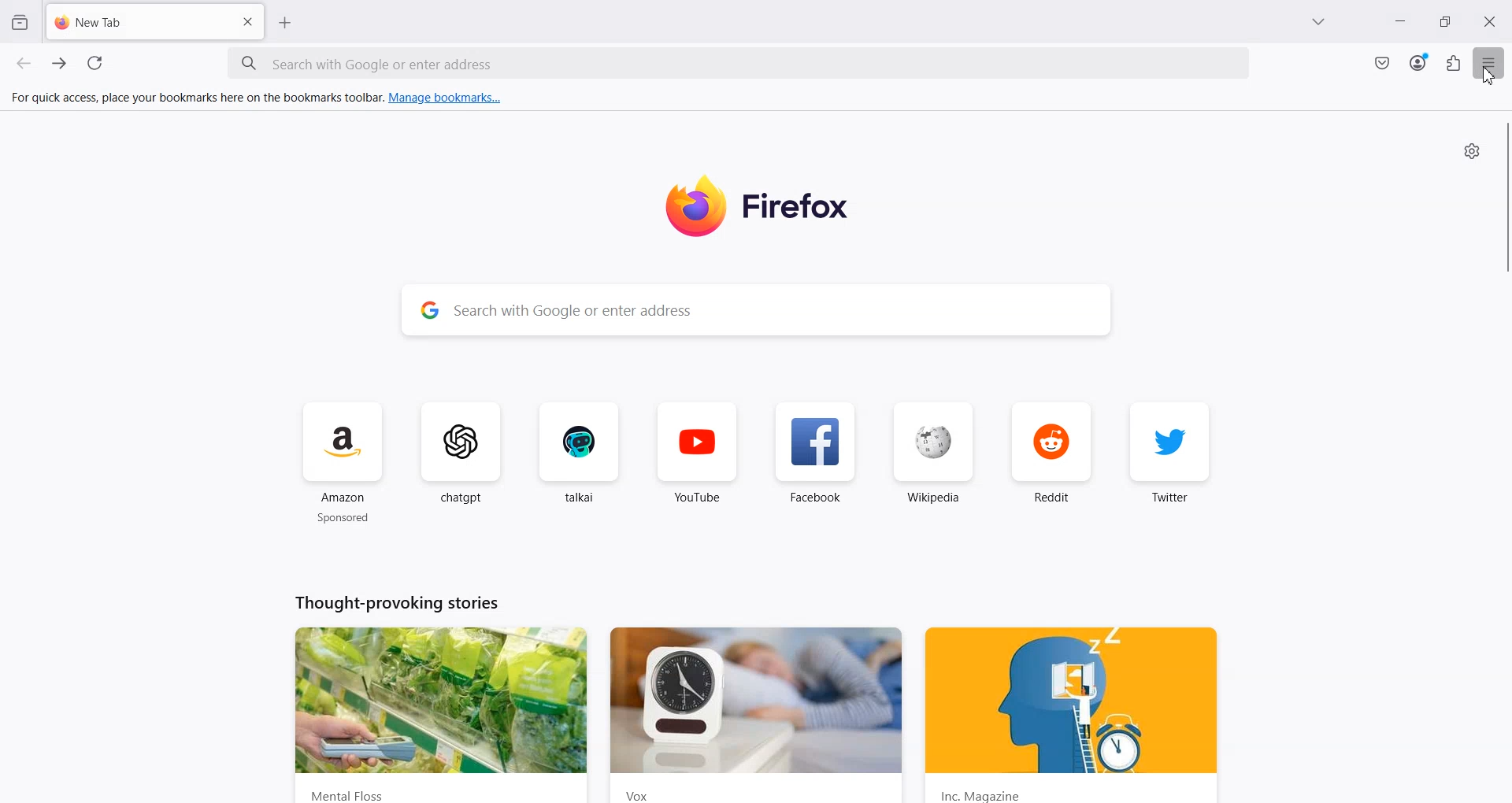  What do you see at coordinates (579, 463) in the screenshot?
I see `talkai` at bounding box center [579, 463].